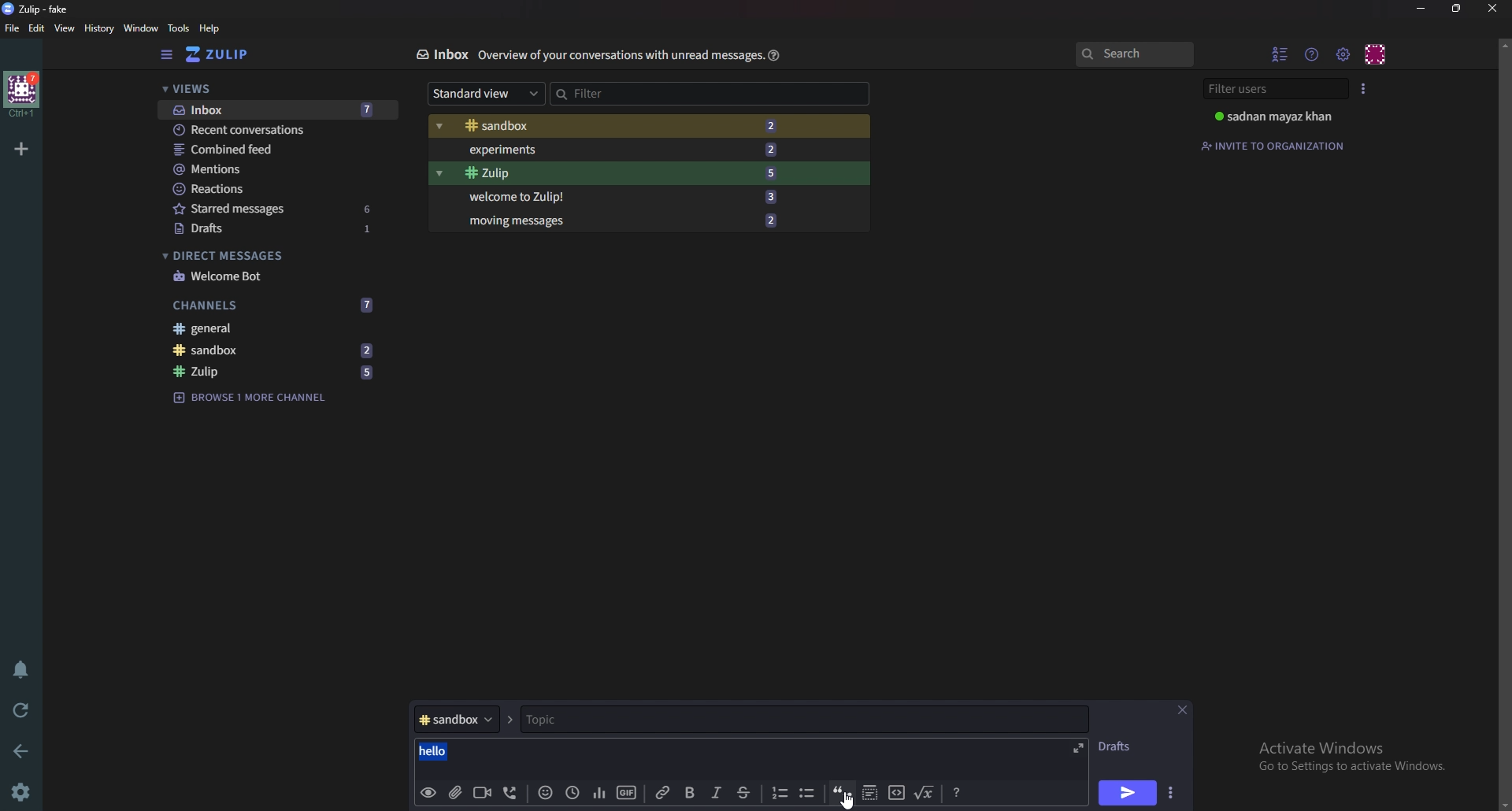 The height and width of the screenshot is (811, 1512). What do you see at coordinates (241, 306) in the screenshot?
I see `Channels` at bounding box center [241, 306].